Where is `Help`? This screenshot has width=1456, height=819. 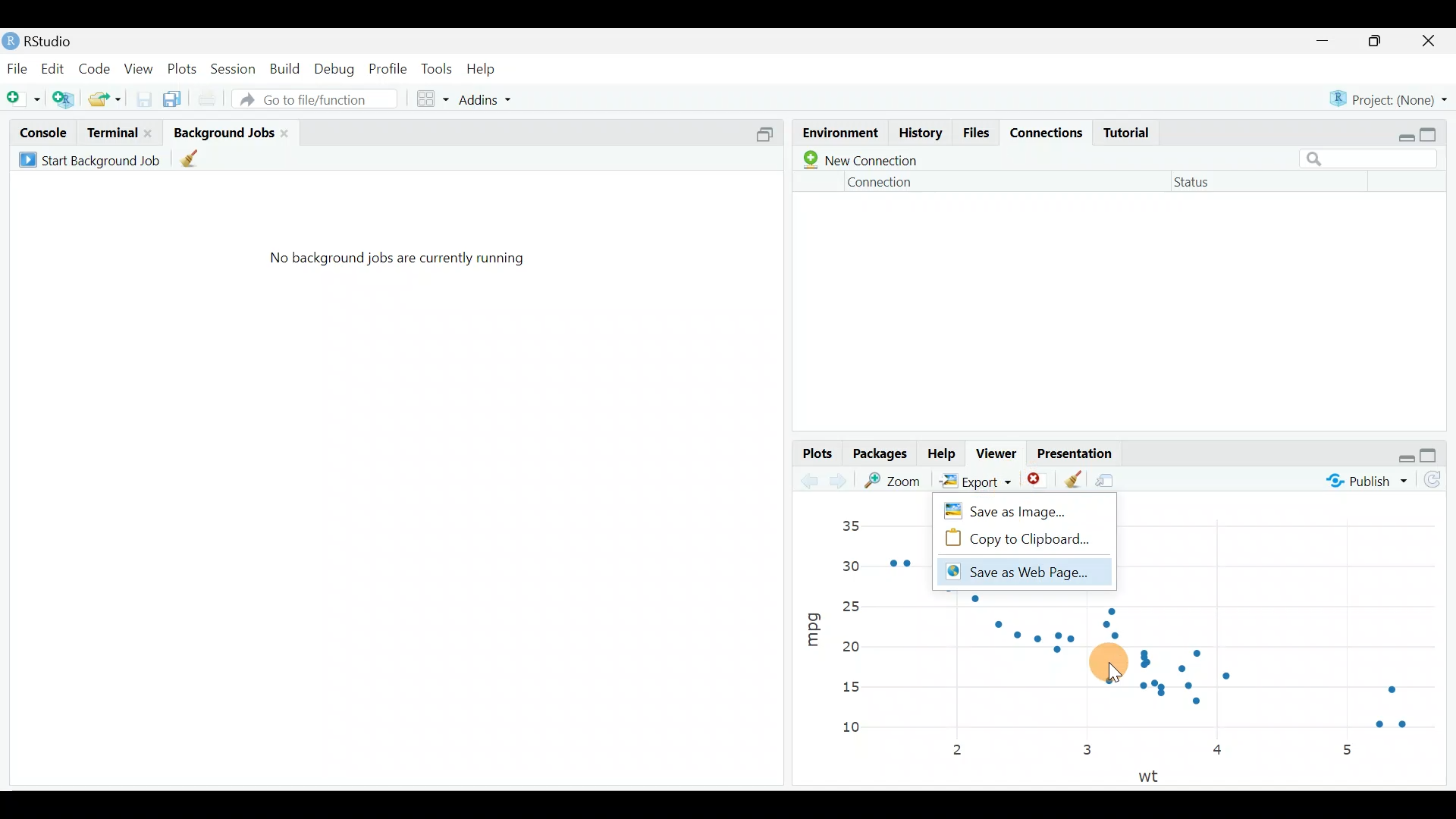
Help is located at coordinates (488, 67).